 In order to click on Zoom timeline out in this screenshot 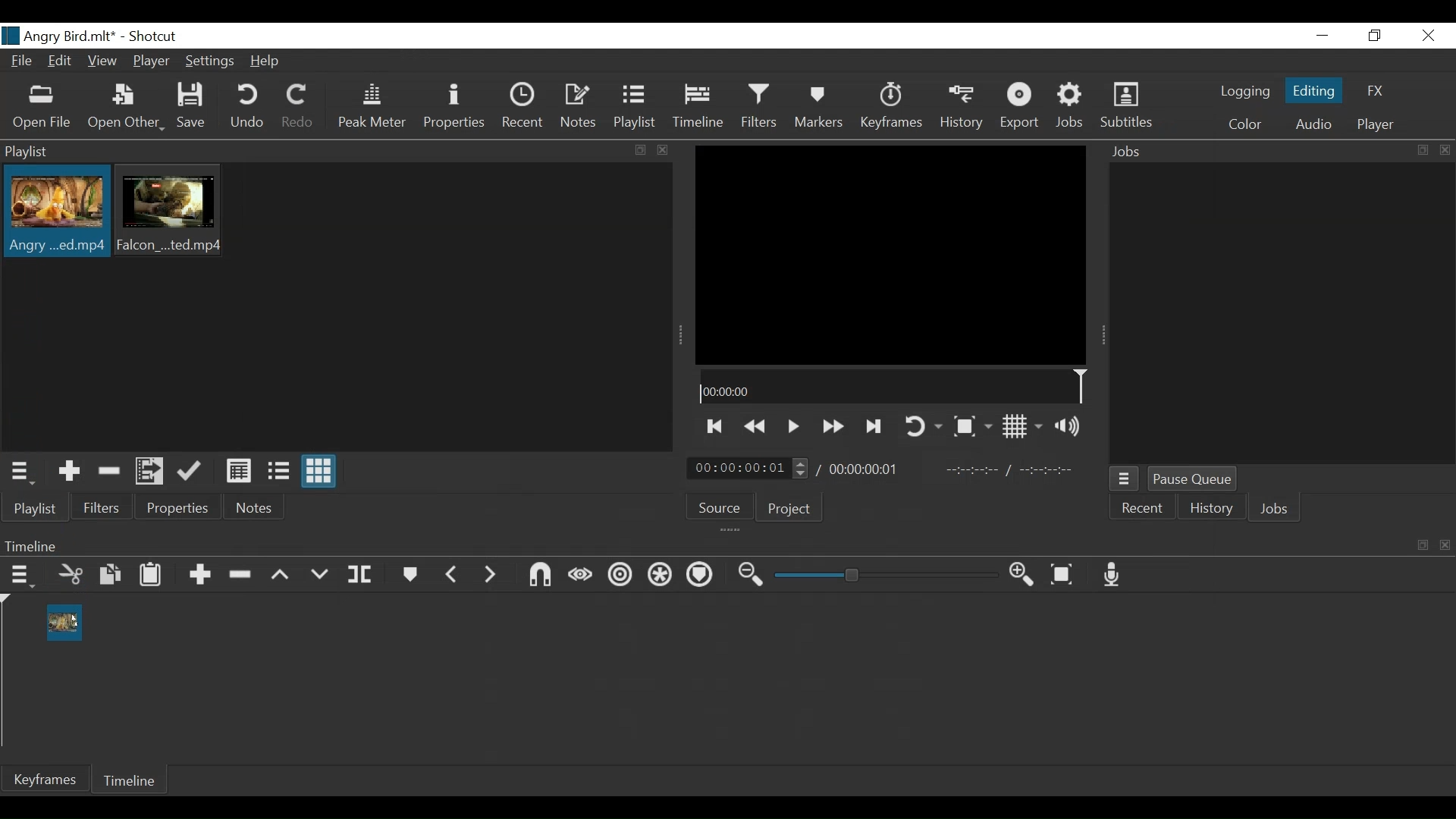, I will do `click(750, 576)`.